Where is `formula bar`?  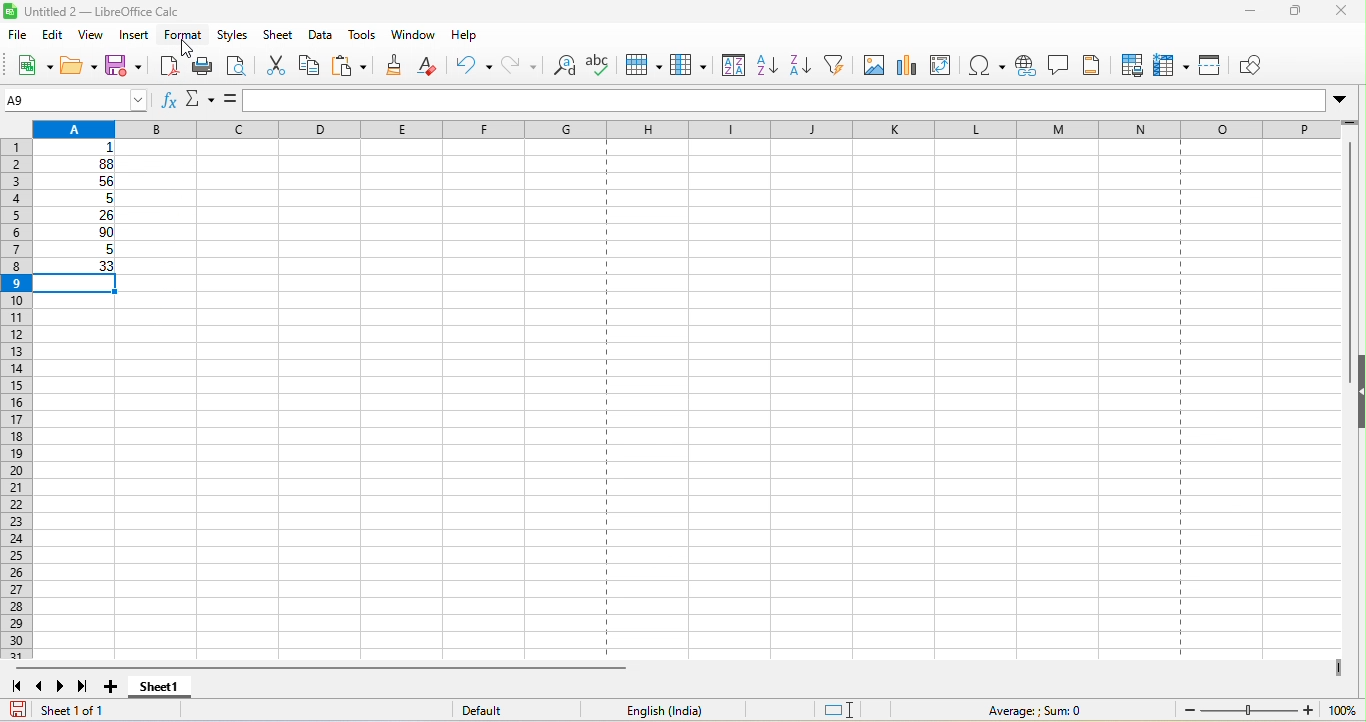 formula bar is located at coordinates (799, 103).